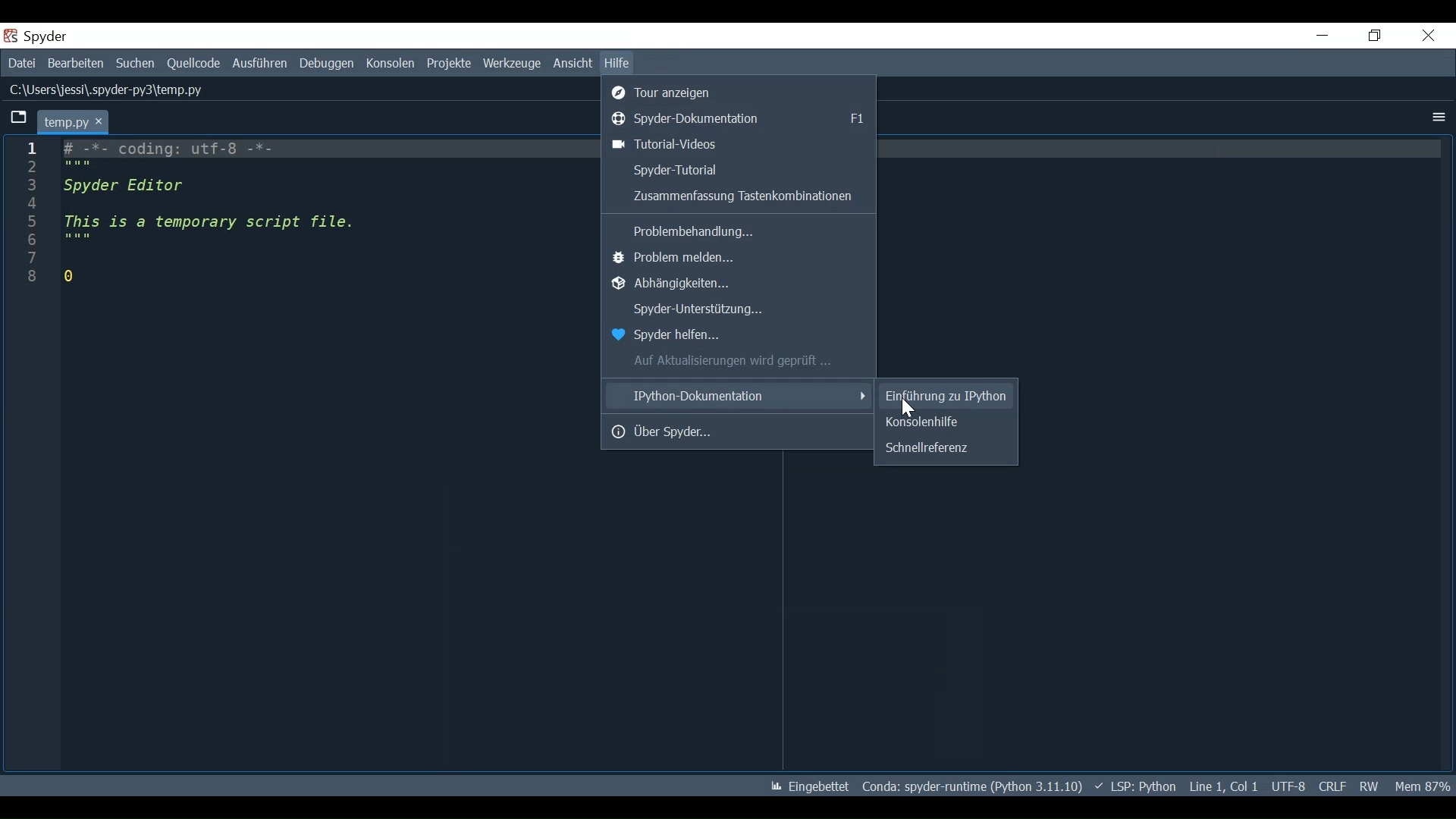 The width and height of the screenshot is (1456, 819). Describe the element at coordinates (970, 786) in the screenshot. I see `Conda: spyder-runtime(Python 3.11.10)` at that location.